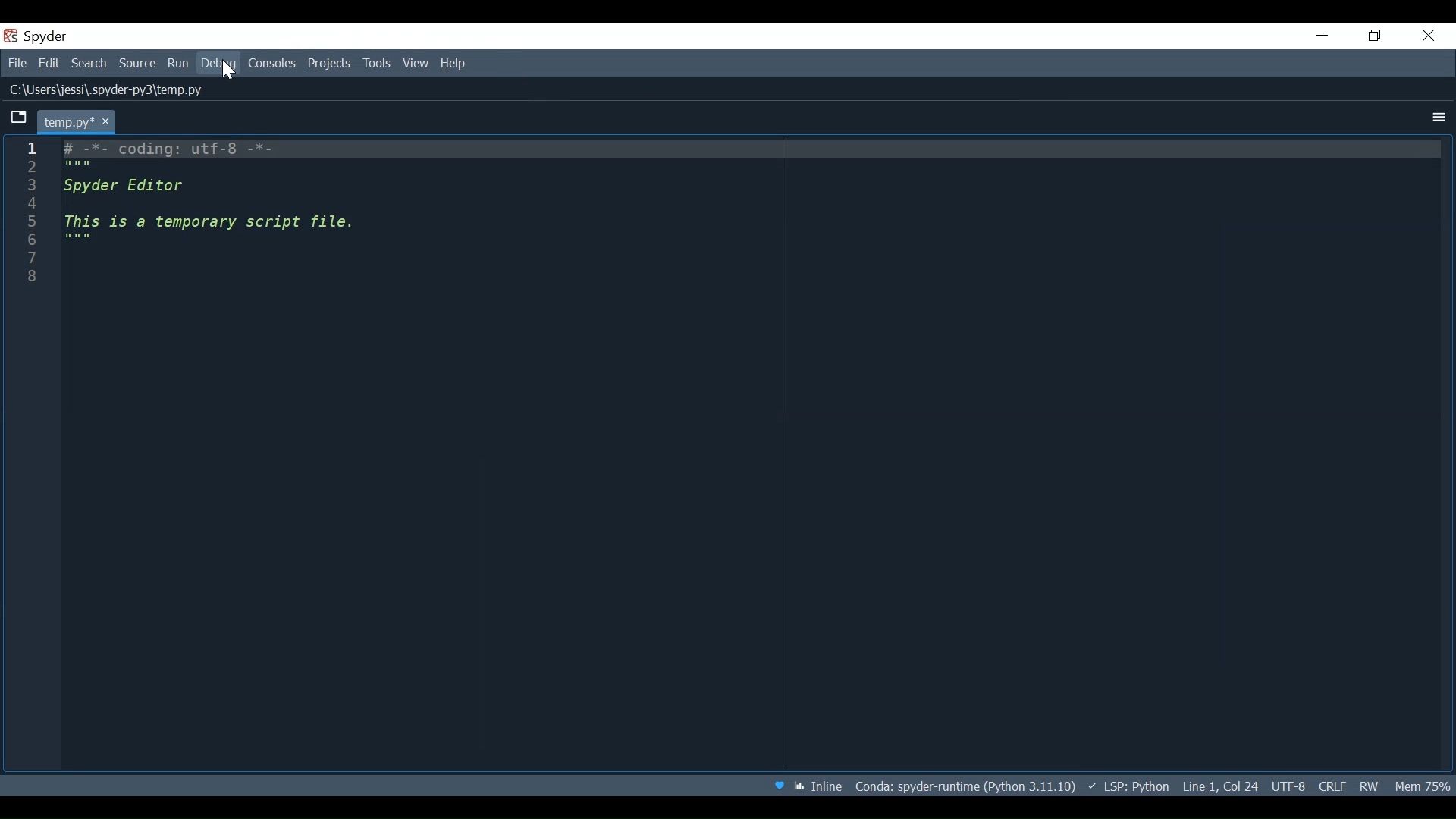 The image size is (1456, 819). Describe the element at coordinates (1423, 786) in the screenshot. I see `Memory Usage` at that location.